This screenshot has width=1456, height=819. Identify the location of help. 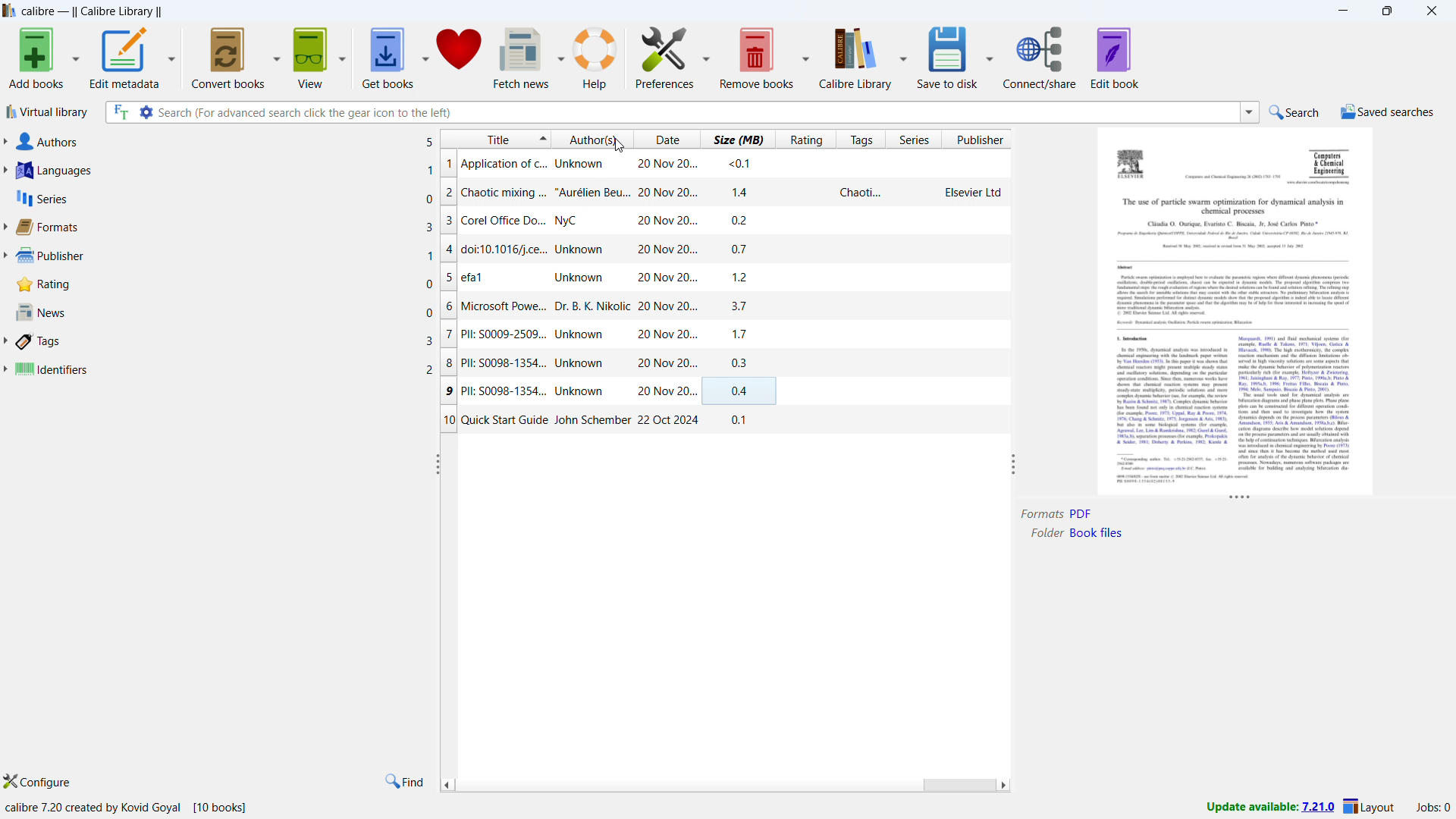
(595, 56).